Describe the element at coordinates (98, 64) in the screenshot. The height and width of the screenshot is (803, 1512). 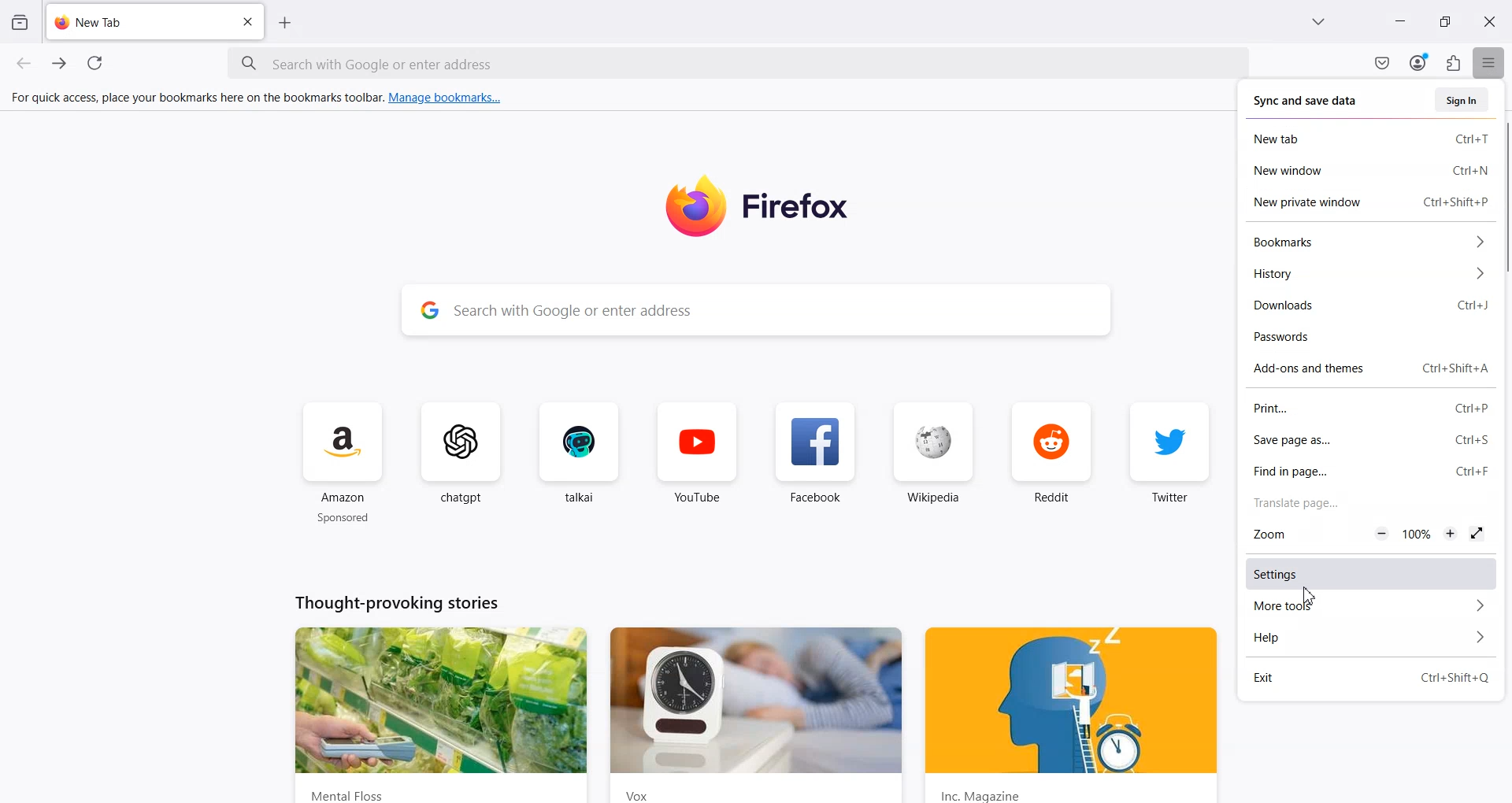
I see `Refresh` at that location.